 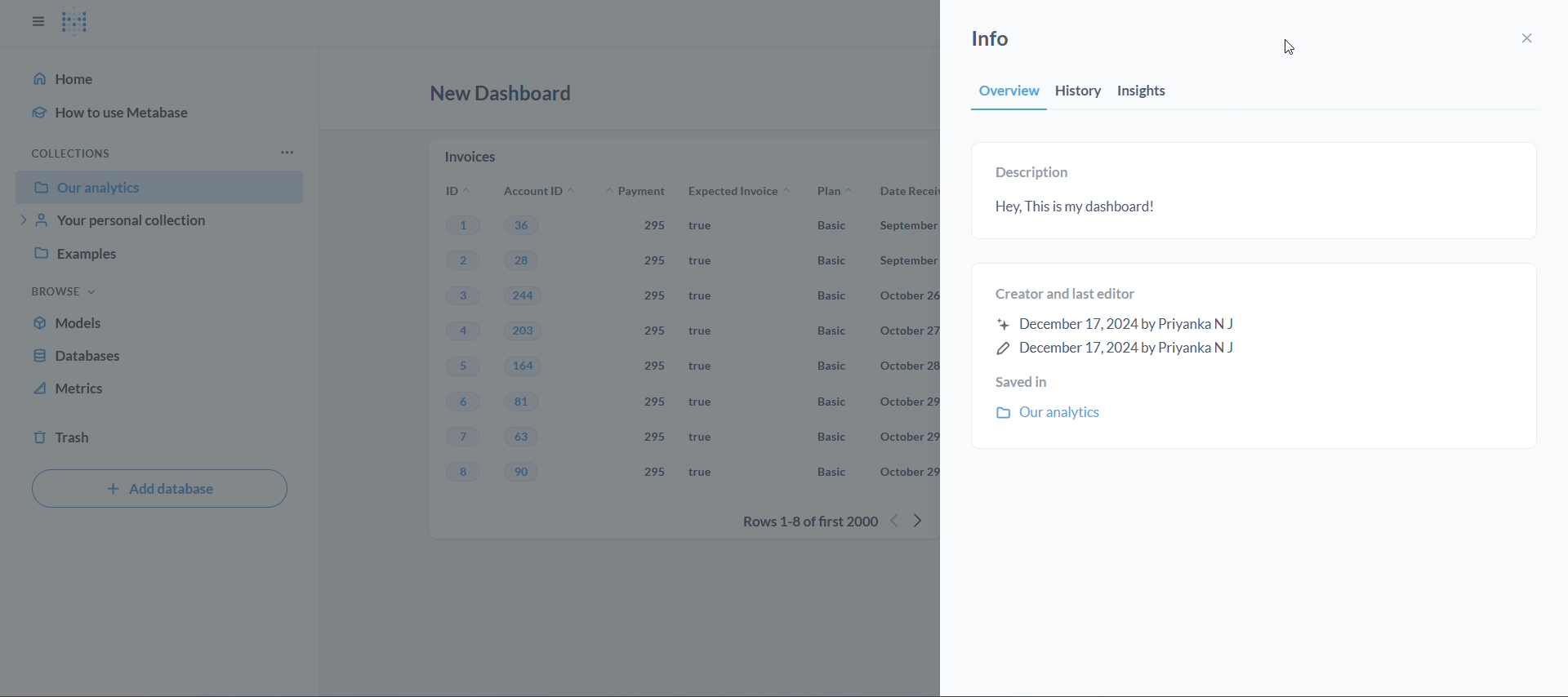 I want to click on 90, so click(x=528, y=473).